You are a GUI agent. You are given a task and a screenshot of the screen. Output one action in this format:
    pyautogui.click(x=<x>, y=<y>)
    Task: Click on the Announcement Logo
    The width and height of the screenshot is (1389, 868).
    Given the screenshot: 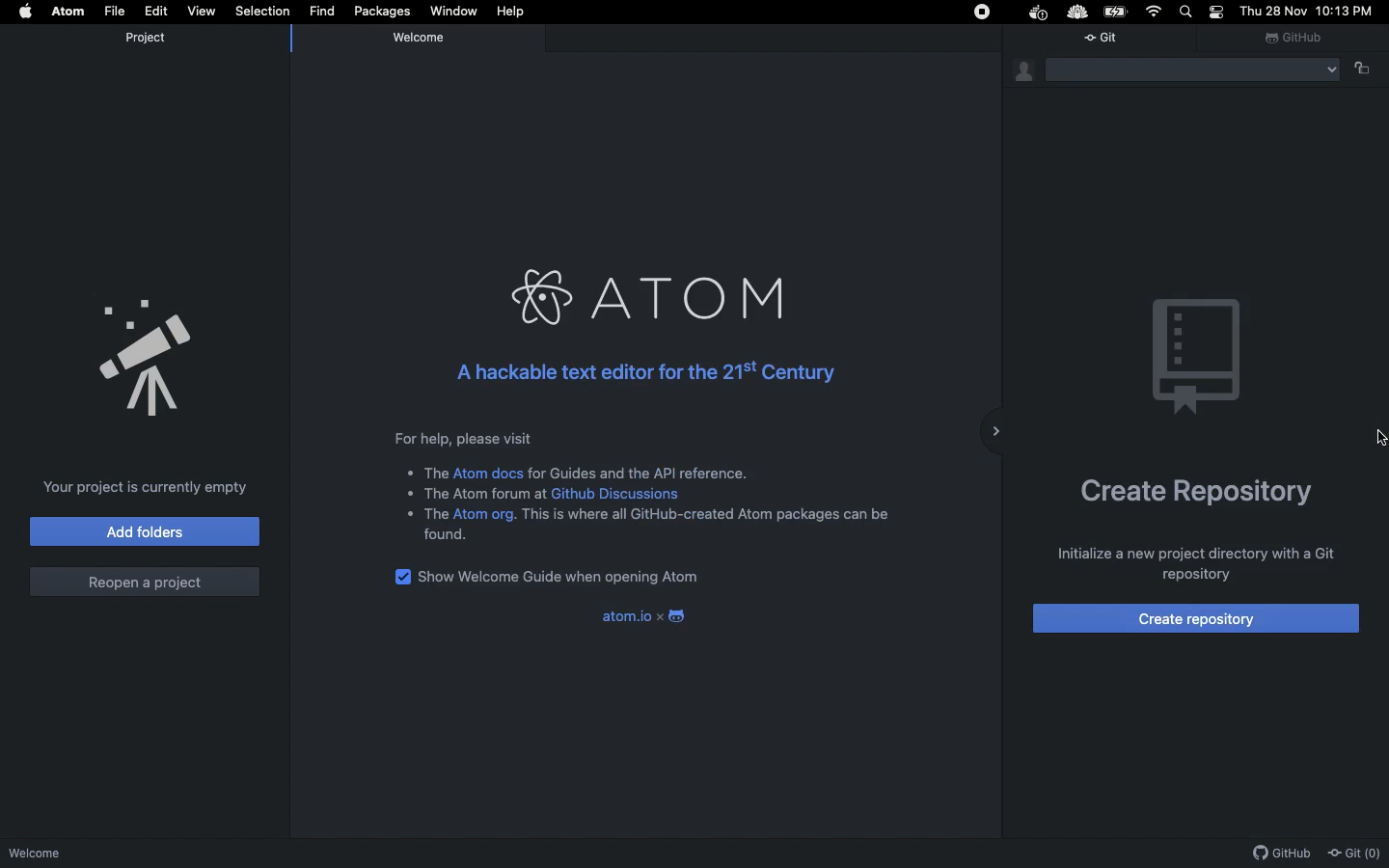 What is the action you would take?
    pyautogui.click(x=150, y=363)
    